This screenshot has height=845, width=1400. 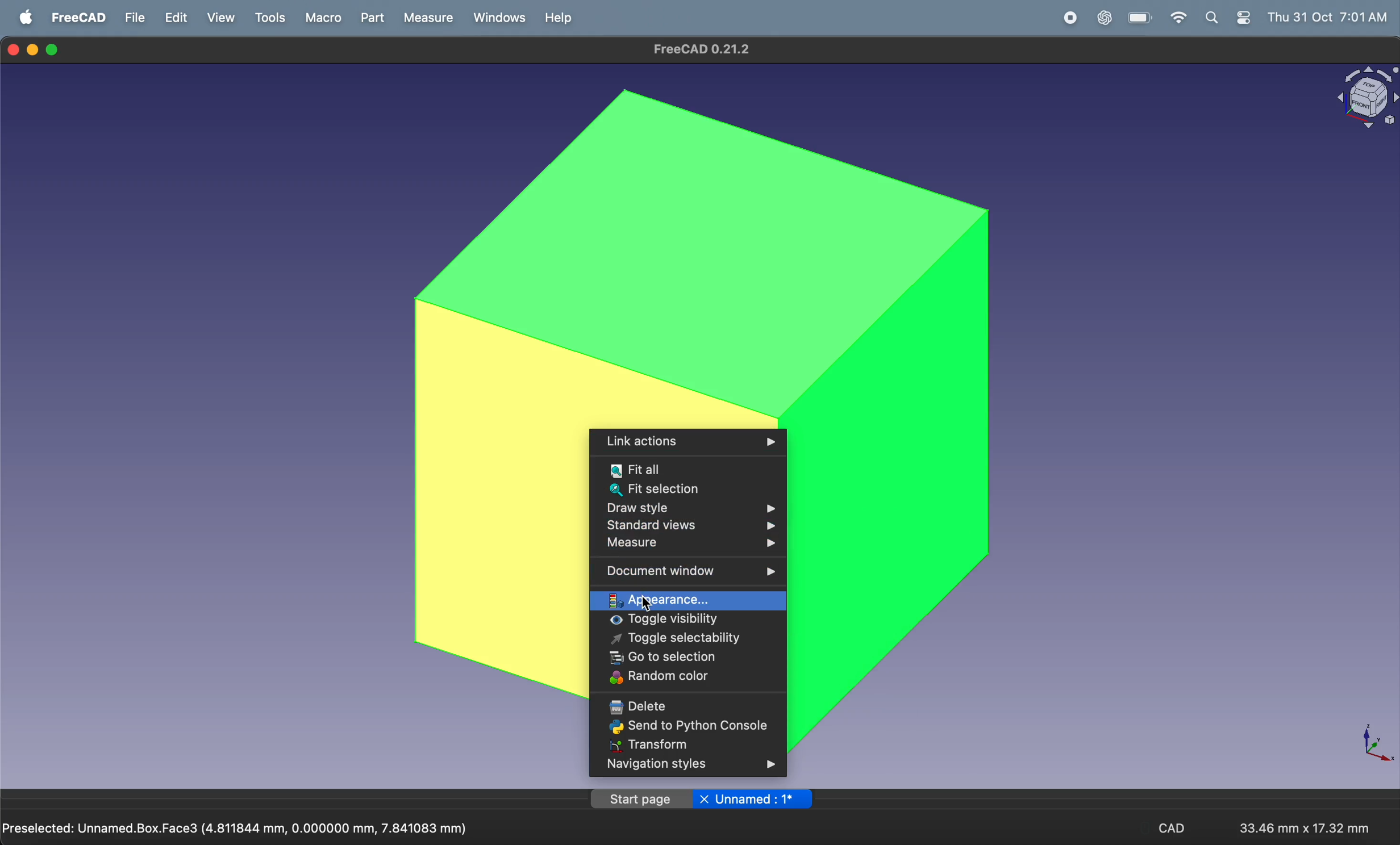 I want to click on chatgpt, so click(x=1103, y=19).